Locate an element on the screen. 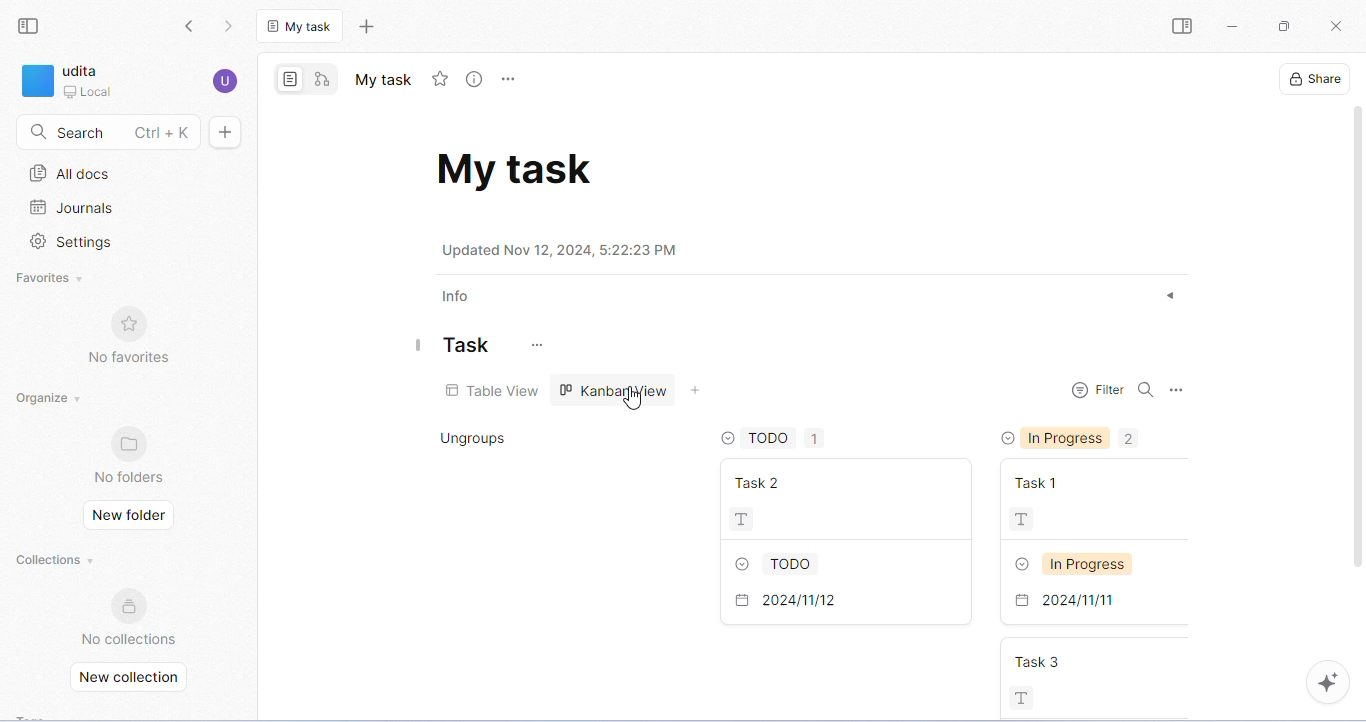  open side bar is located at coordinates (1179, 27).